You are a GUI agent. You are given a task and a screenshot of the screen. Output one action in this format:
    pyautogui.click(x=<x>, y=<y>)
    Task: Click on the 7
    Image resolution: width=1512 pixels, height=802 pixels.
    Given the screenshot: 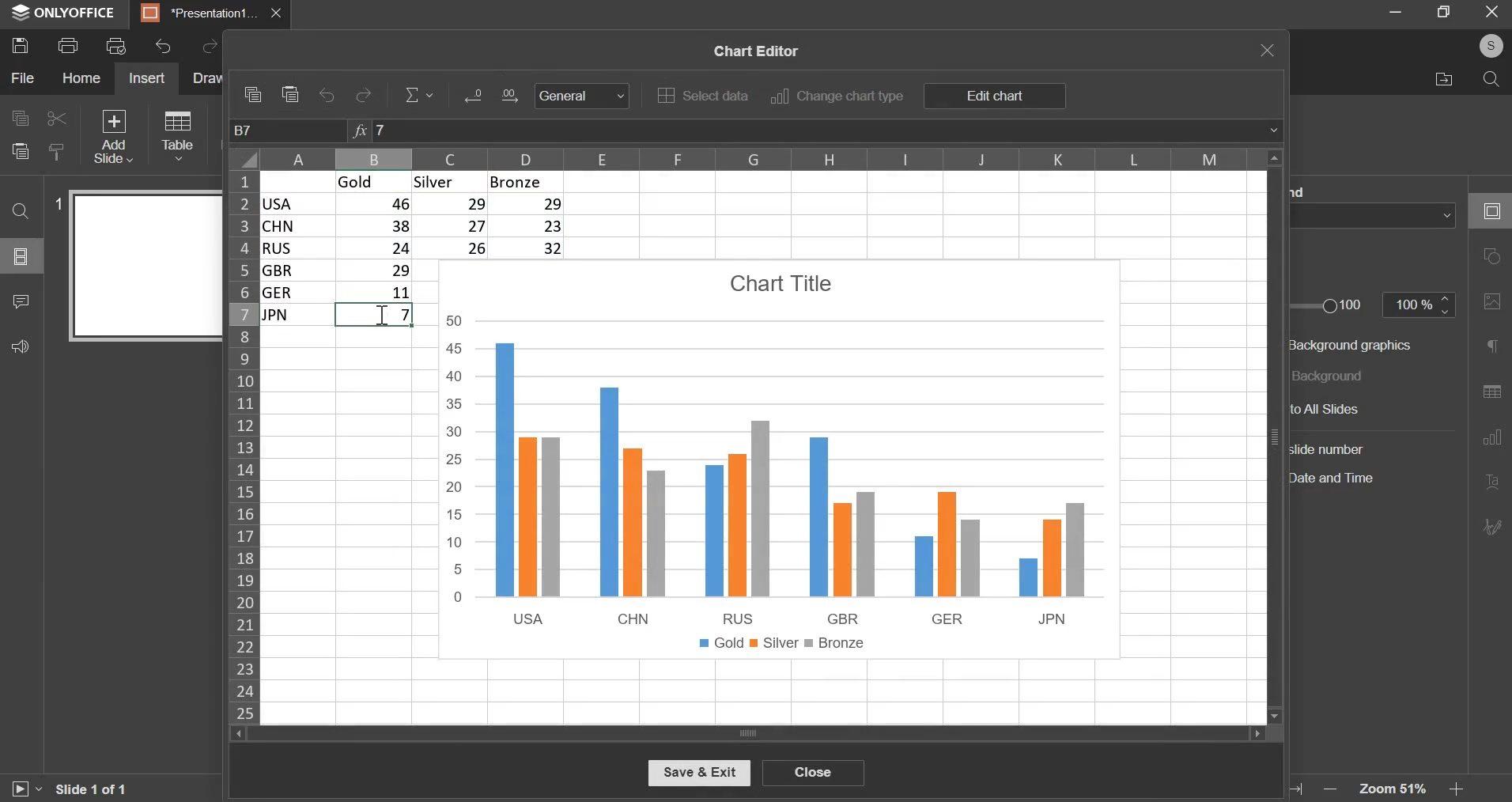 What is the action you would take?
    pyautogui.click(x=376, y=316)
    